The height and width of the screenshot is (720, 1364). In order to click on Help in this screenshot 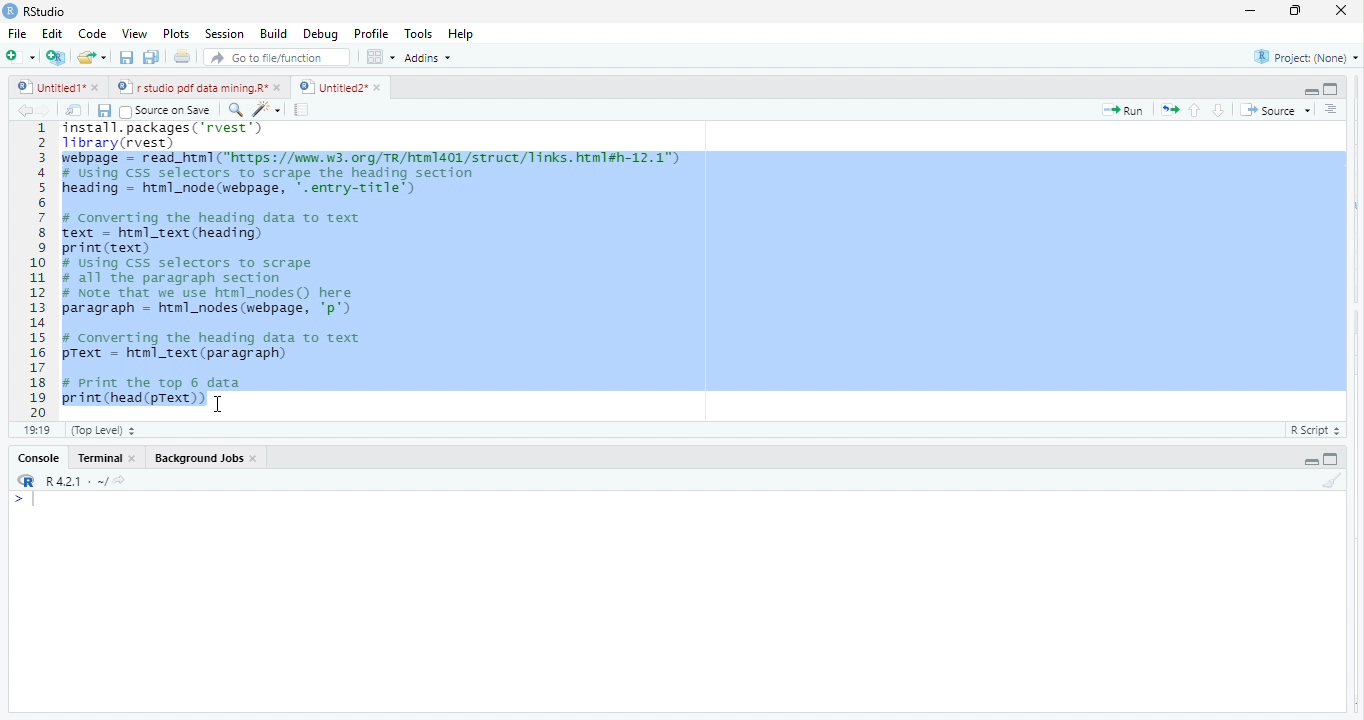, I will do `click(462, 34)`.